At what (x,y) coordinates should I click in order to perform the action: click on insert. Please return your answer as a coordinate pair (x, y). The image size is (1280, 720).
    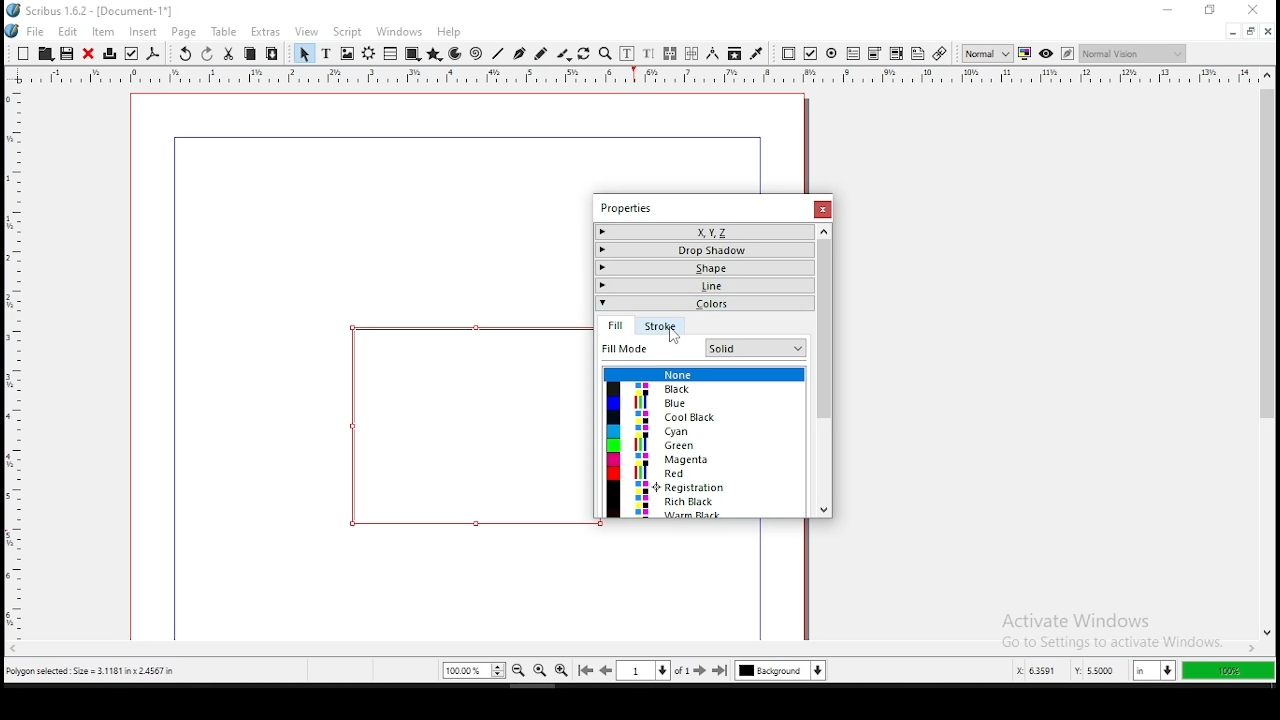
    Looking at the image, I should click on (144, 32).